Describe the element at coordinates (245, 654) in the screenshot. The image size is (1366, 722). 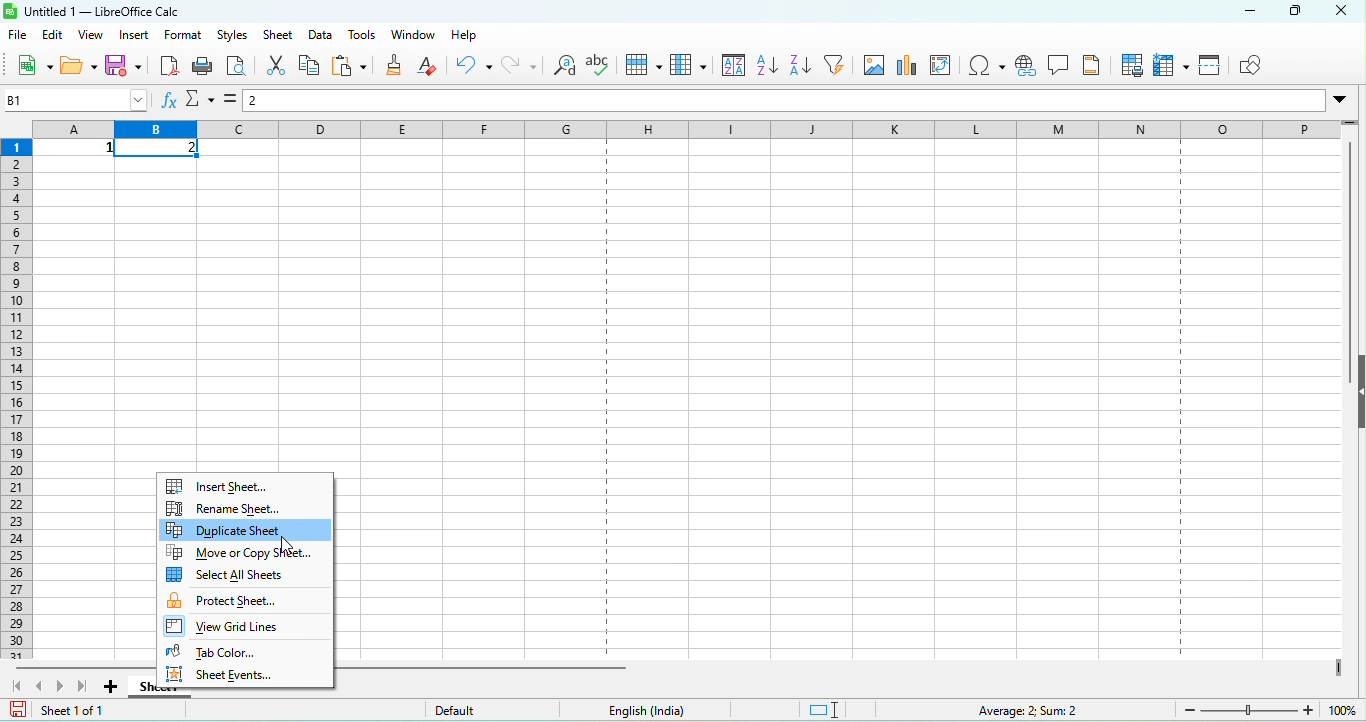
I see `tab color` at that location.